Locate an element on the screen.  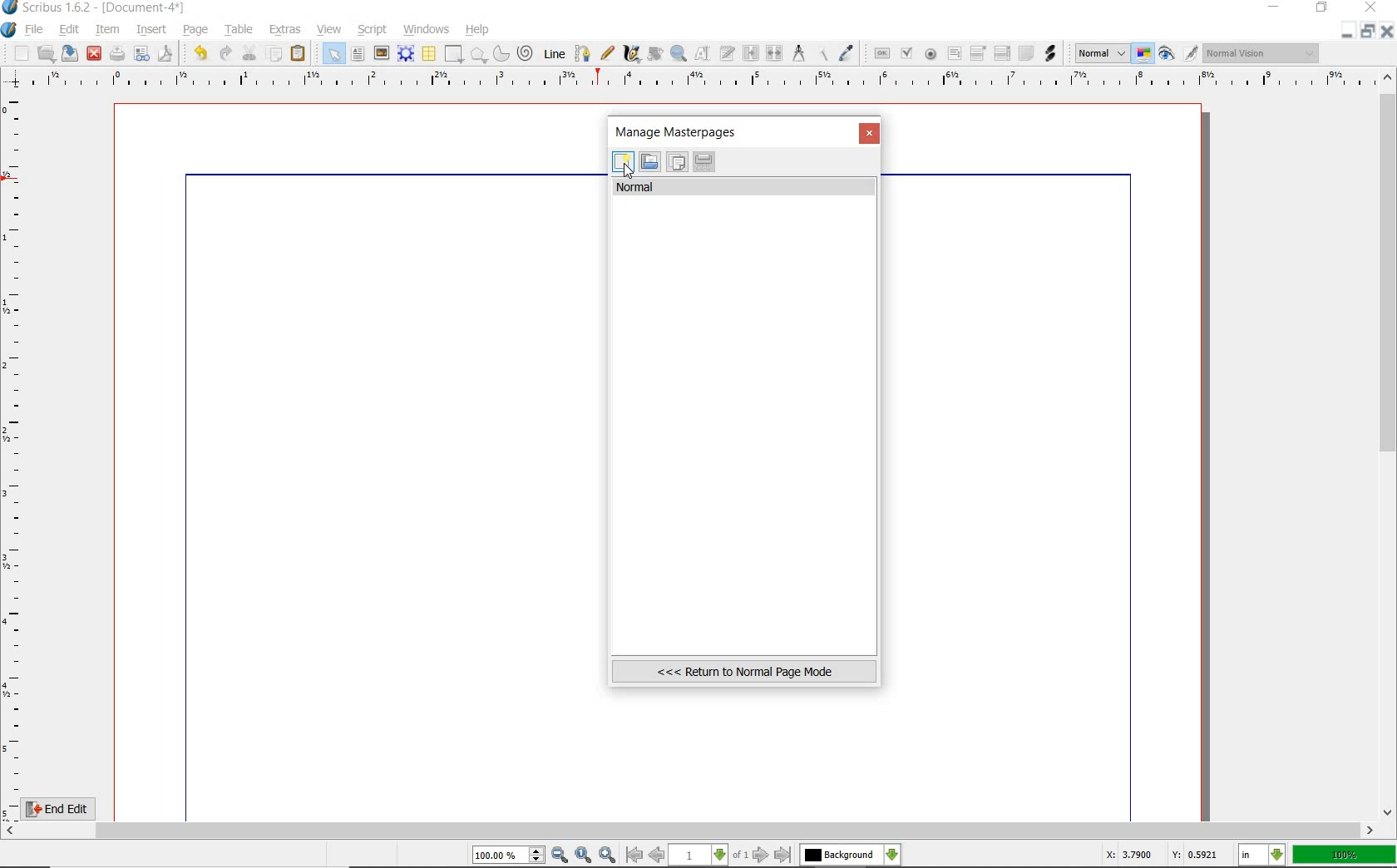
item is located at coordinates (108, 31).